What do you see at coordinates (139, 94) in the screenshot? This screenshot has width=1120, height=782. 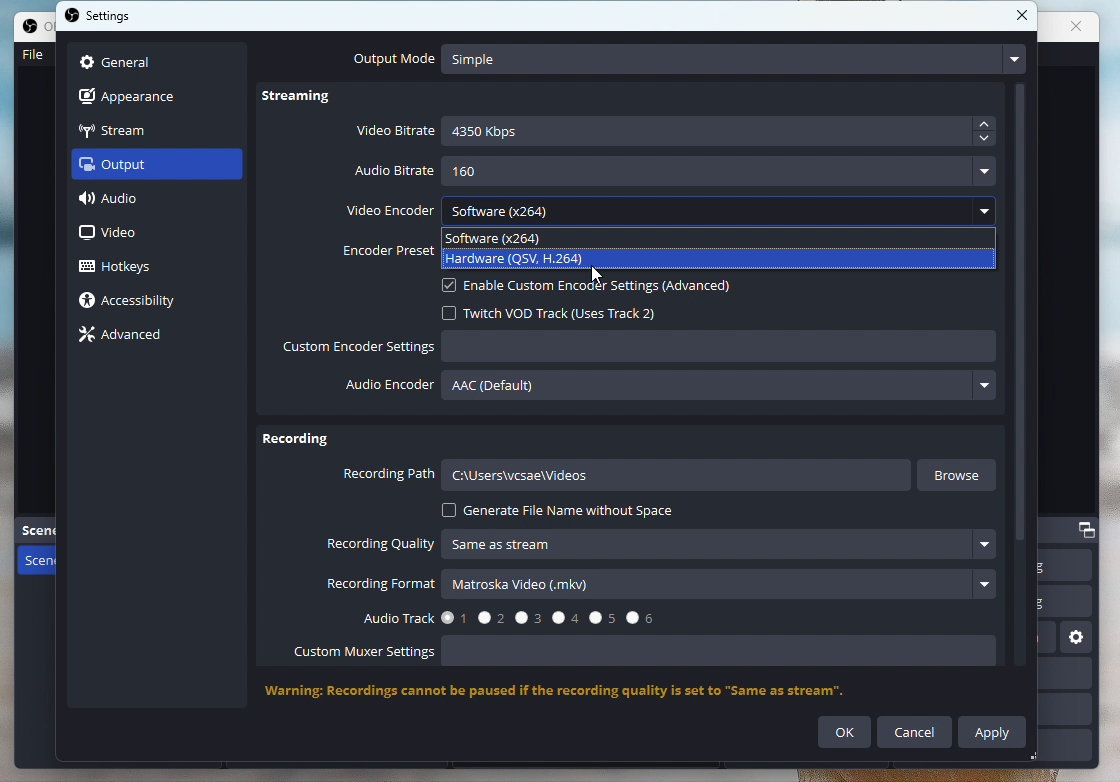 I see `Apperance` at bounding box center [139, 94].